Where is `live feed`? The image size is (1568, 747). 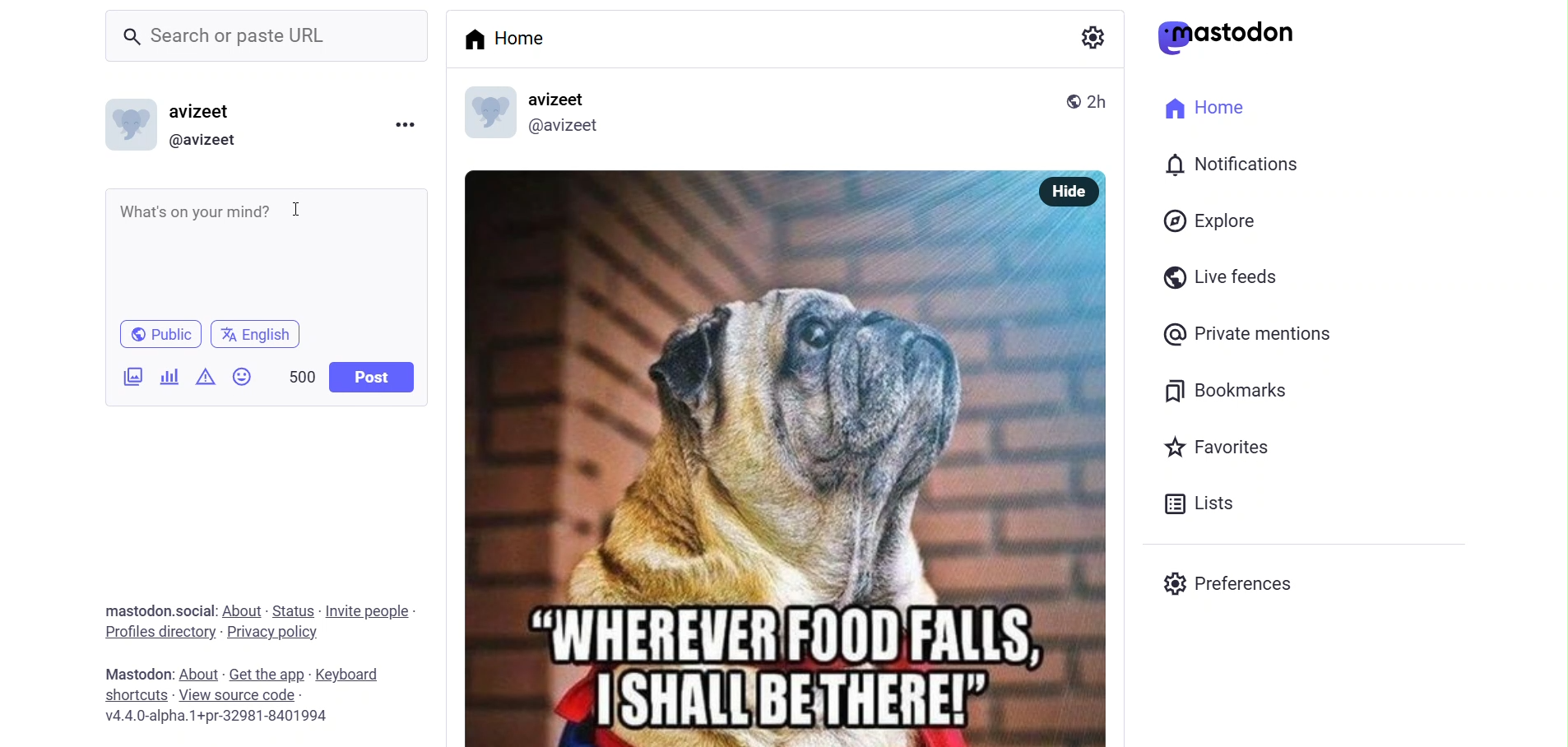 live feed is located at coordinates (1230, 279).